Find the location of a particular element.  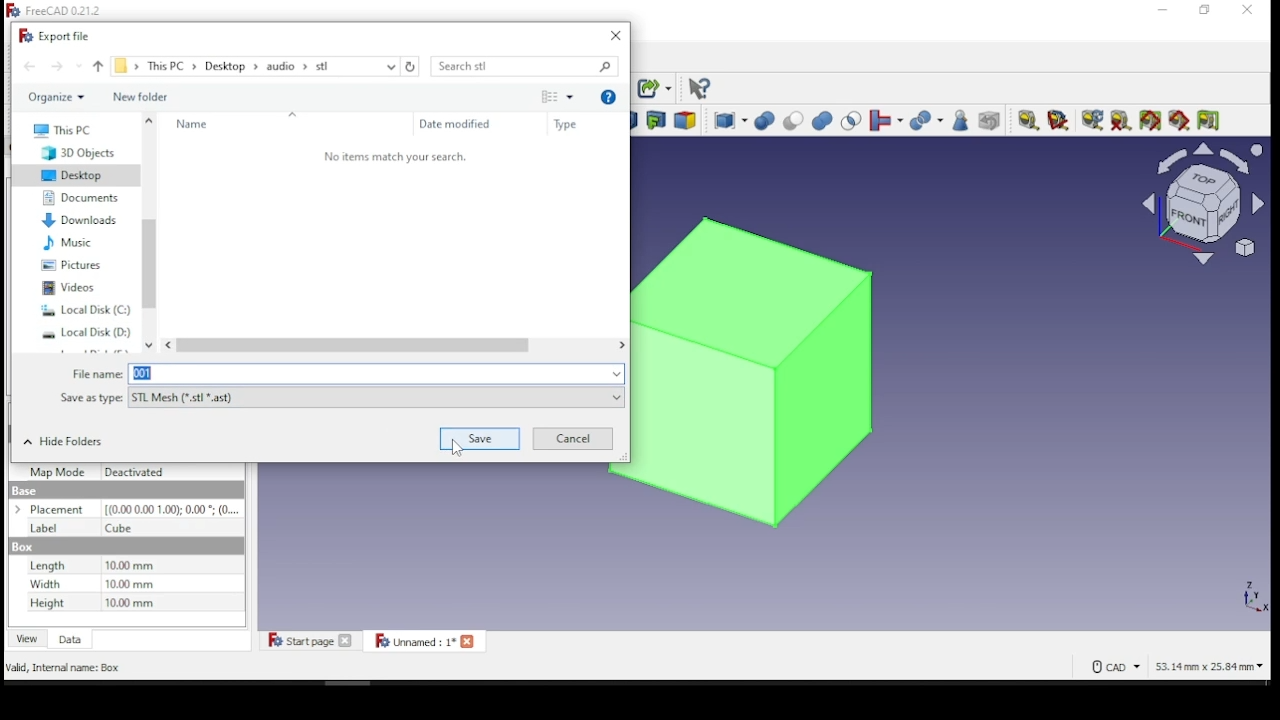

recent locations is located at coordinates (390, 66).